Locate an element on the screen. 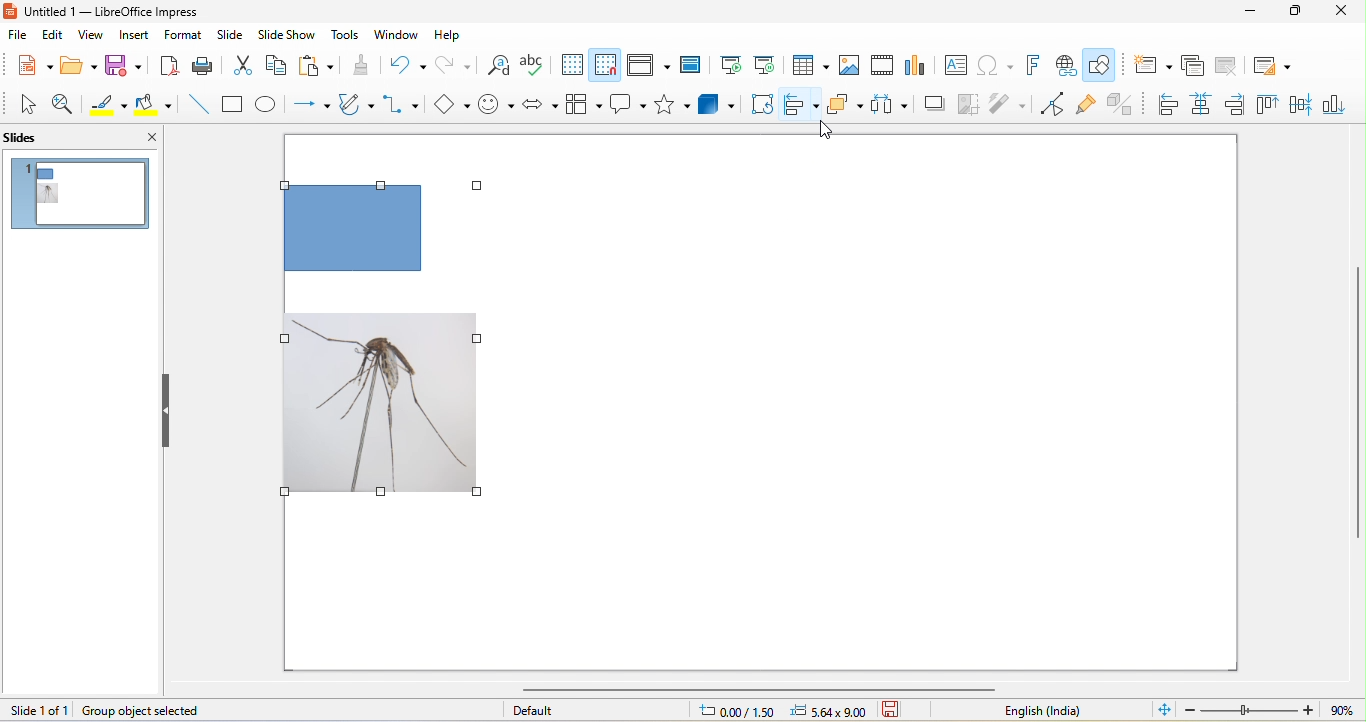 The height and width of the screenshot is (722, 1366). new is located at coordinates (28, 64).